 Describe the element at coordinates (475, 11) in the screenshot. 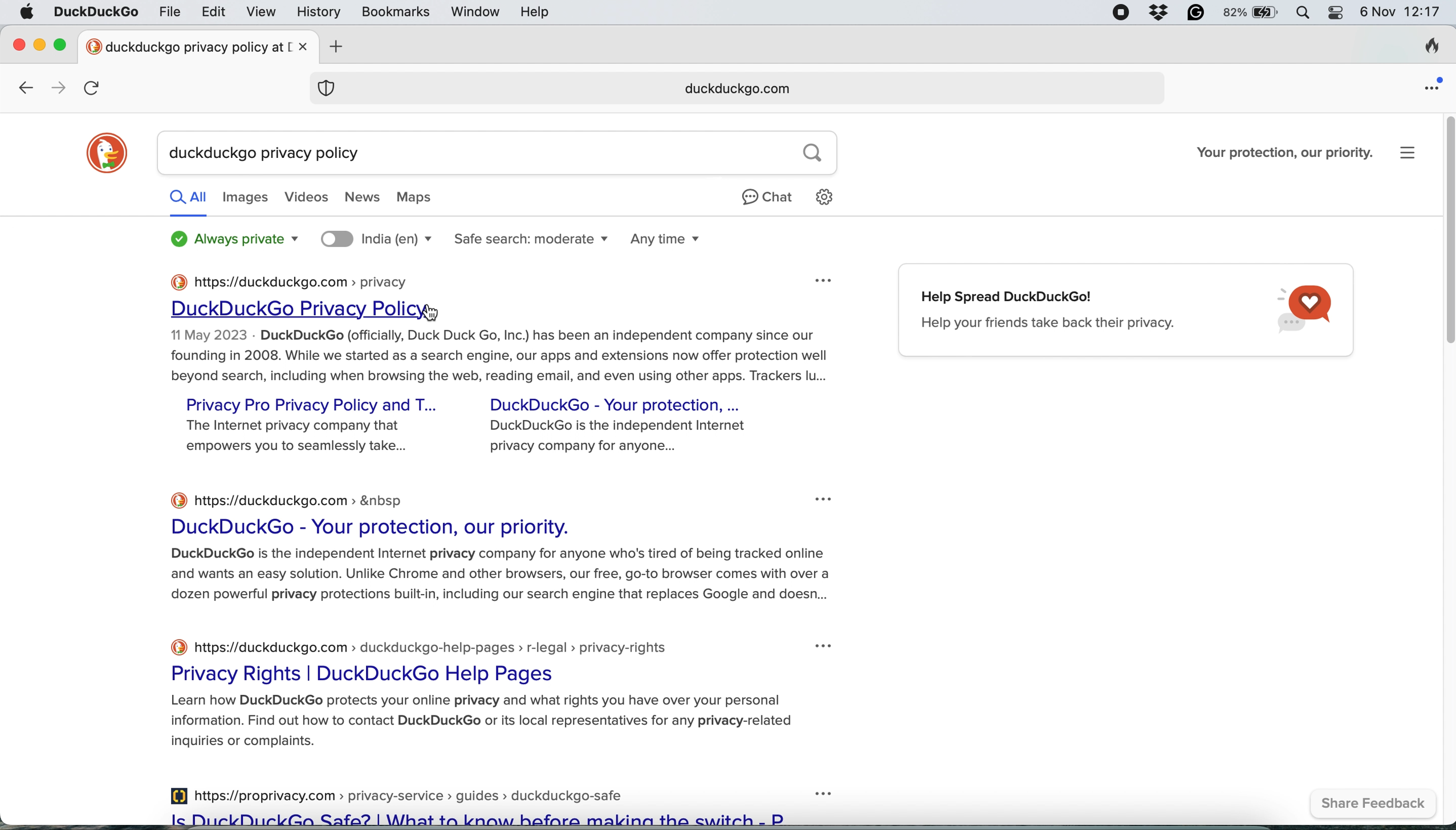

I see `window` at that location.